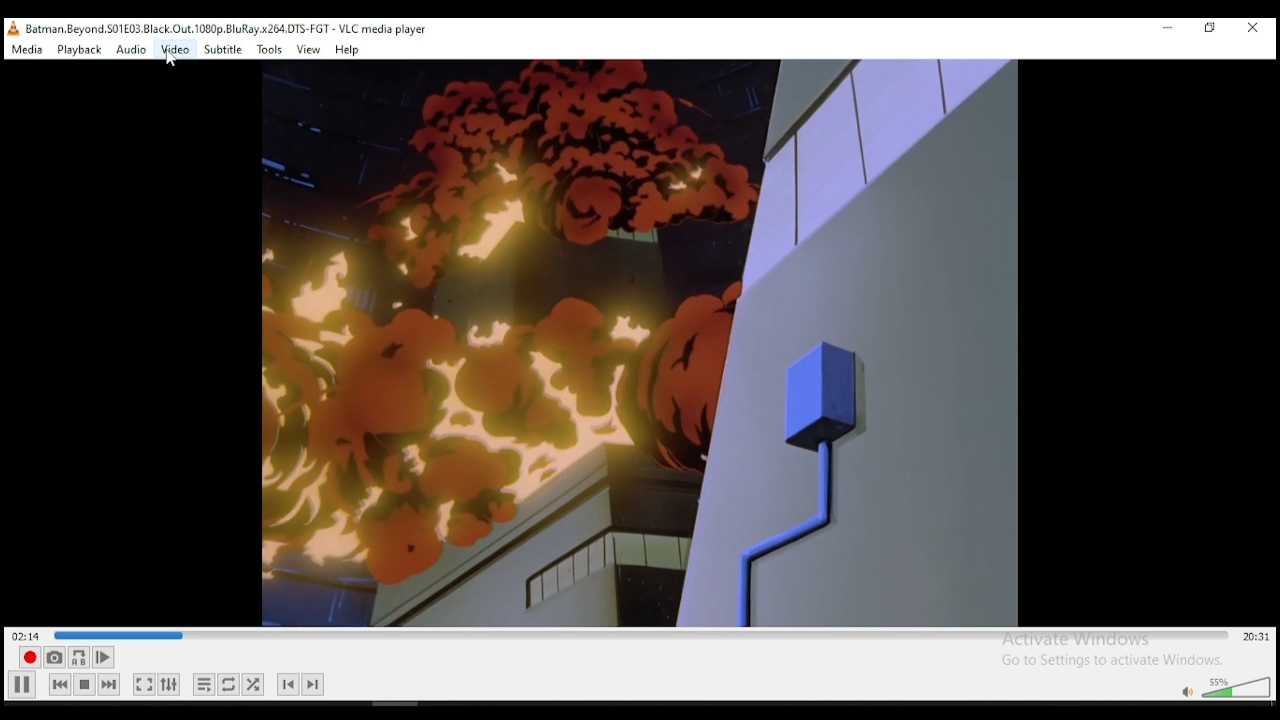  I want to click on view, so click(306, 49).